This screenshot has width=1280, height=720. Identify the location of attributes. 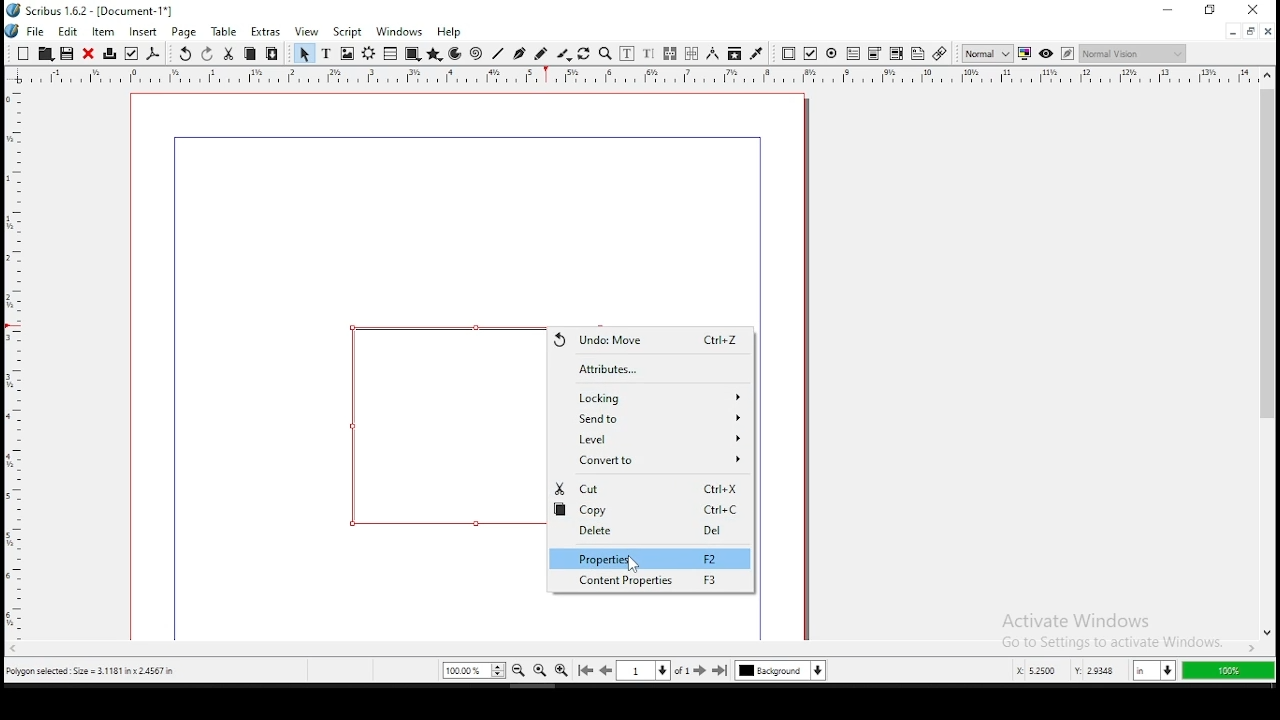
(649, 367).